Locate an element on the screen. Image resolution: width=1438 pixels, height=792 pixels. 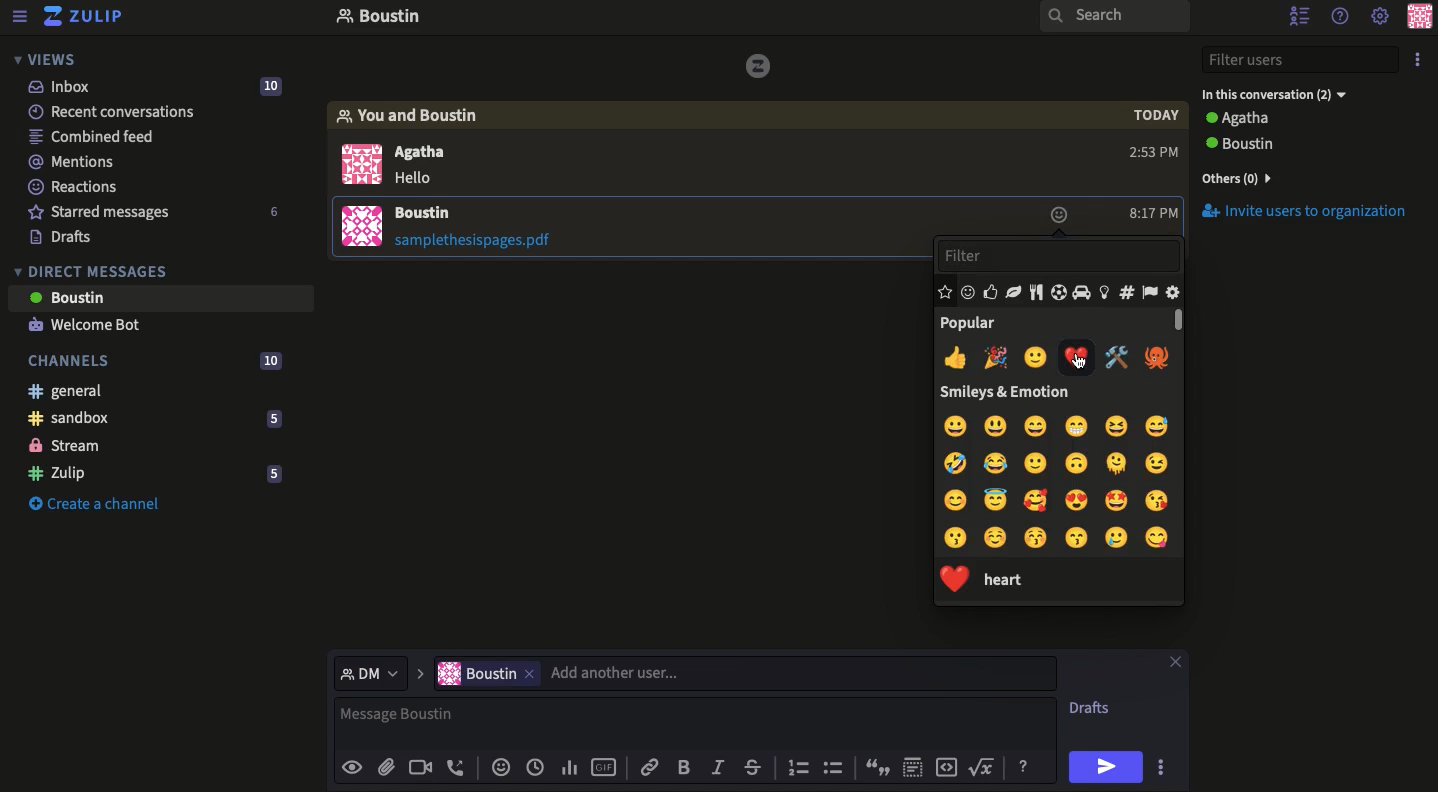
Options is located at coordinates (1420, 60).